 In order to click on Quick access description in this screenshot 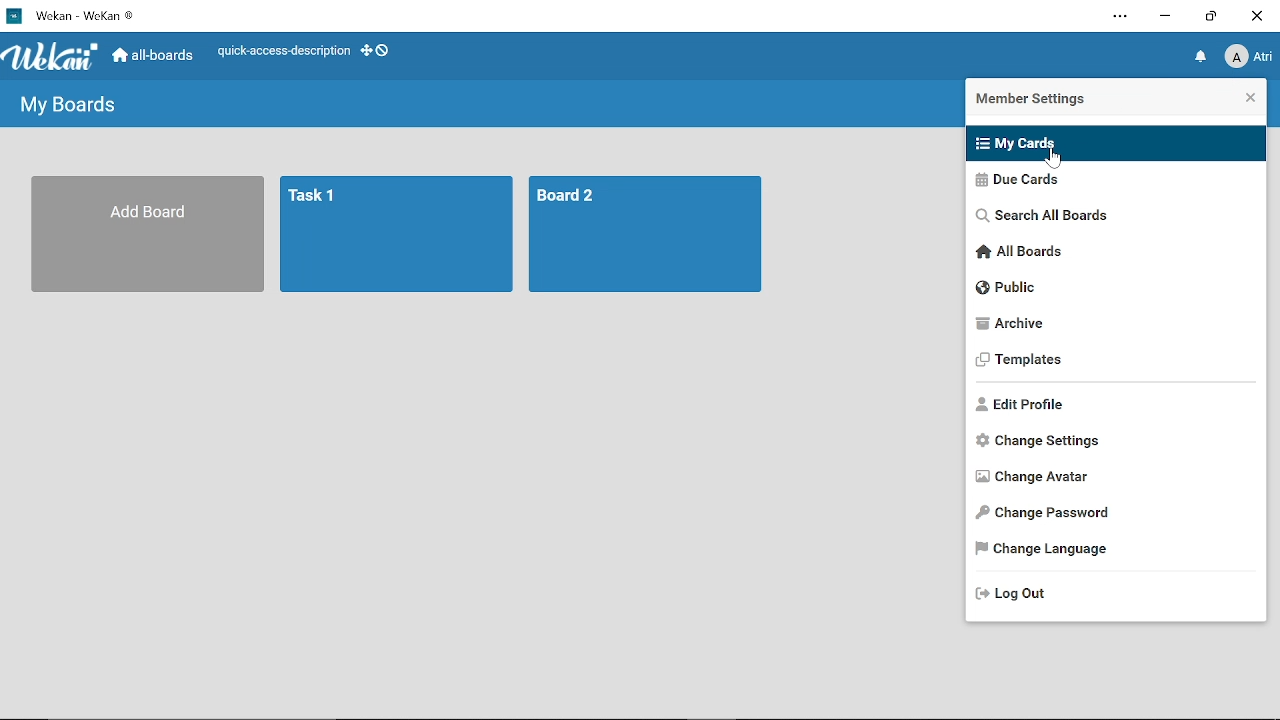, I will do `click(278, 53)`.